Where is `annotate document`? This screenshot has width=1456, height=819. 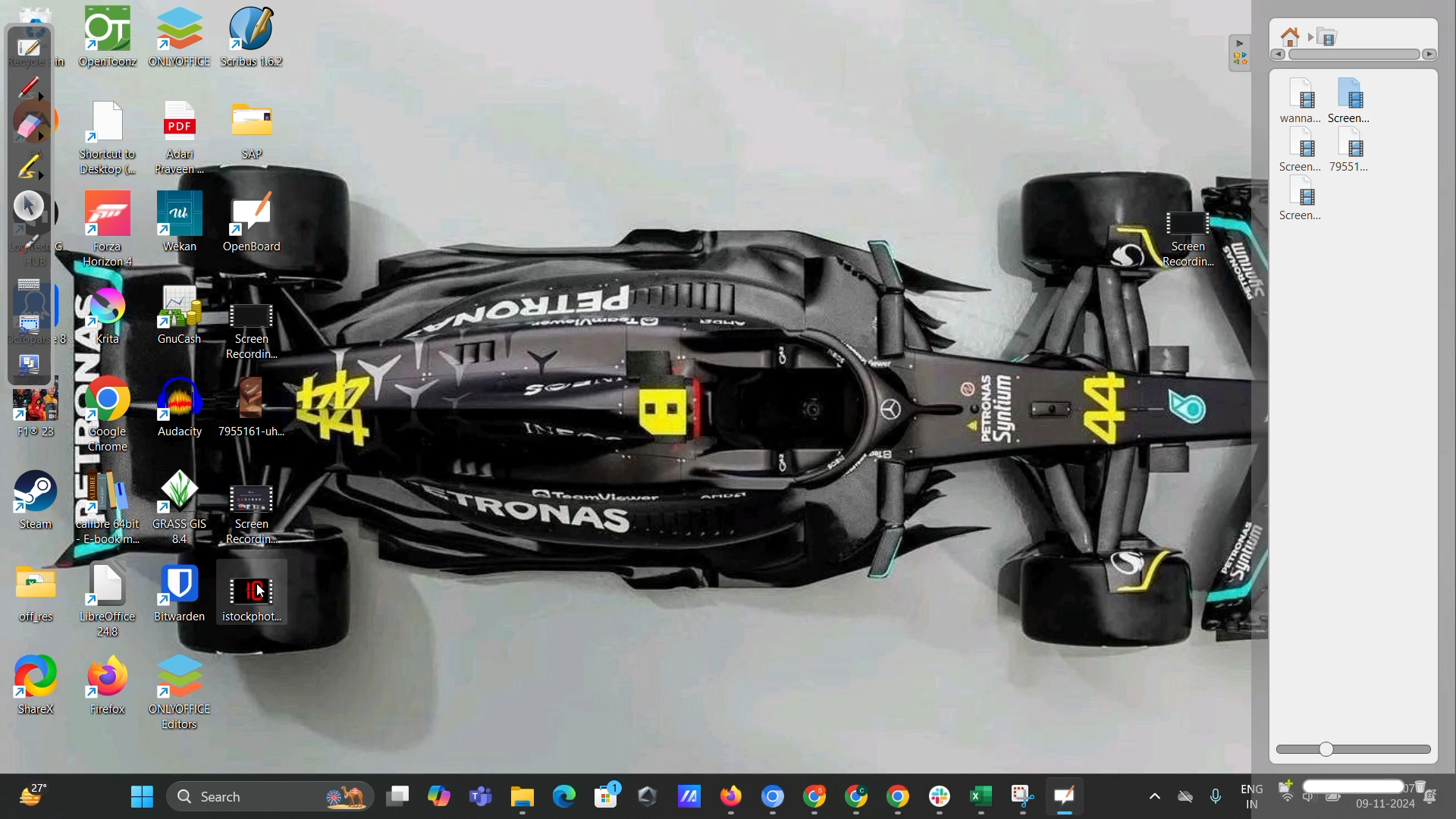 annotate document is located at coordinates (33, 86).